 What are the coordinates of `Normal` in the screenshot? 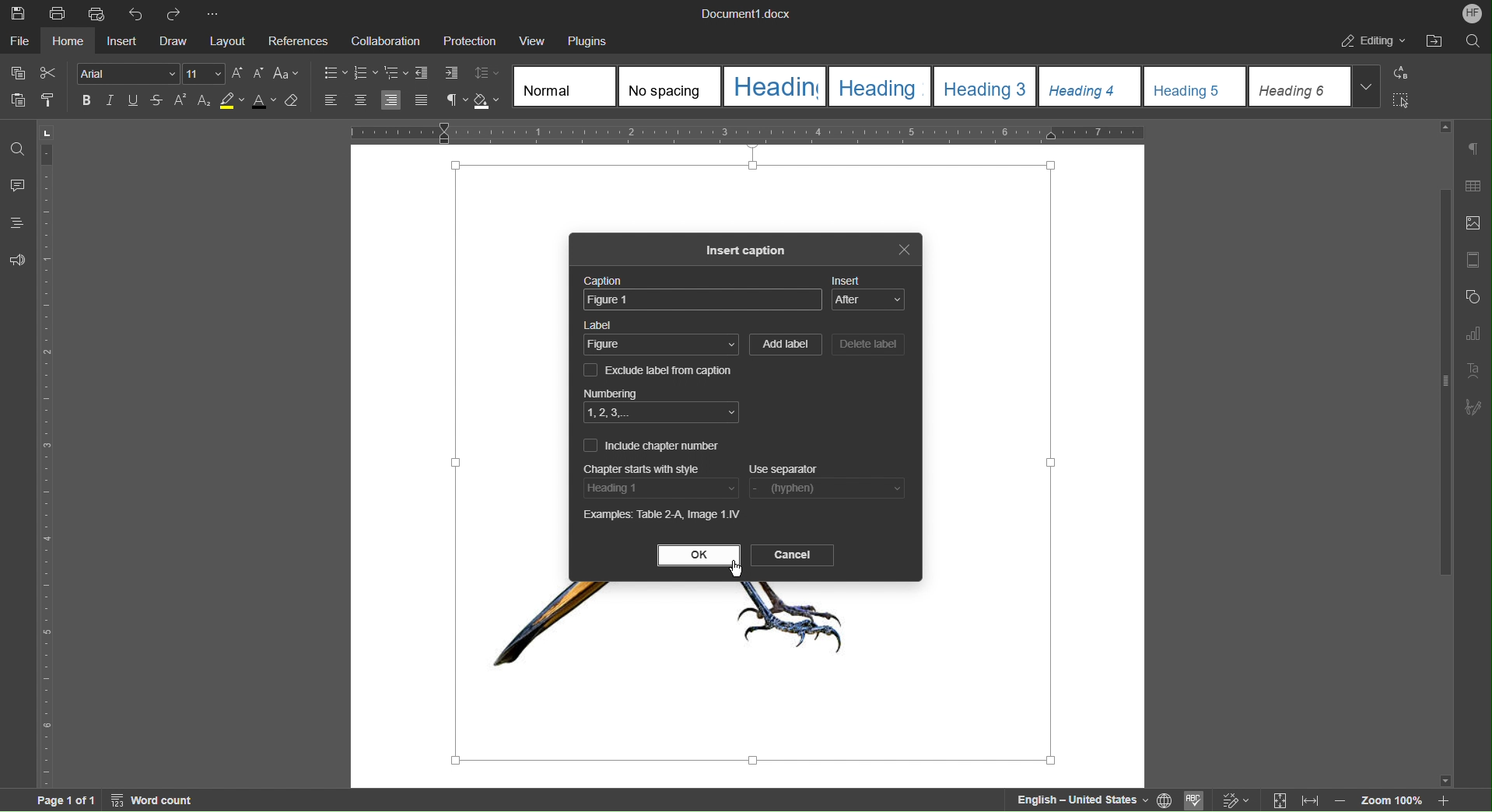 It's located at (566, 86).